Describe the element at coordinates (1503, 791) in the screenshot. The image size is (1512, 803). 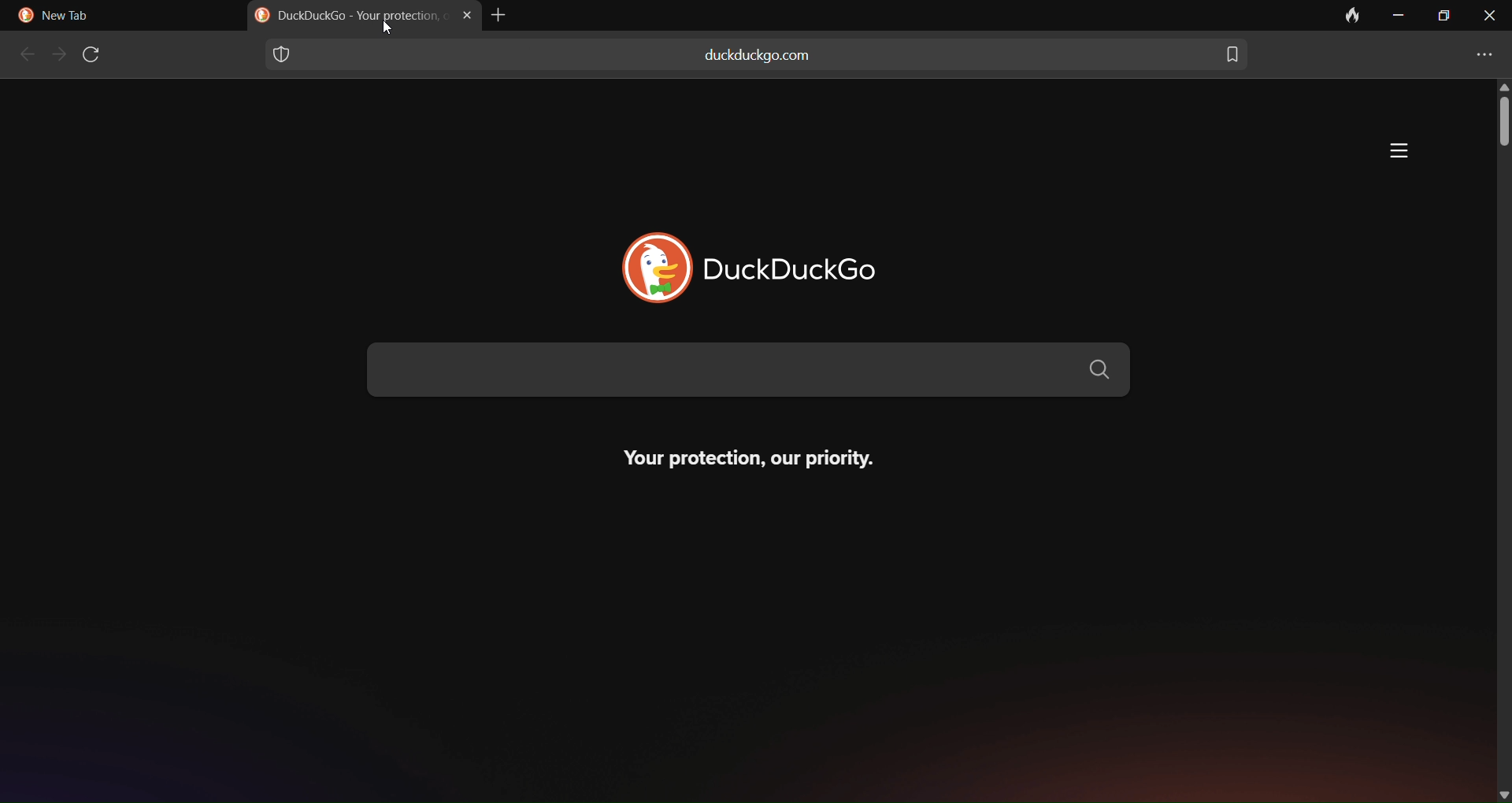
I see `scroll down` at that location.